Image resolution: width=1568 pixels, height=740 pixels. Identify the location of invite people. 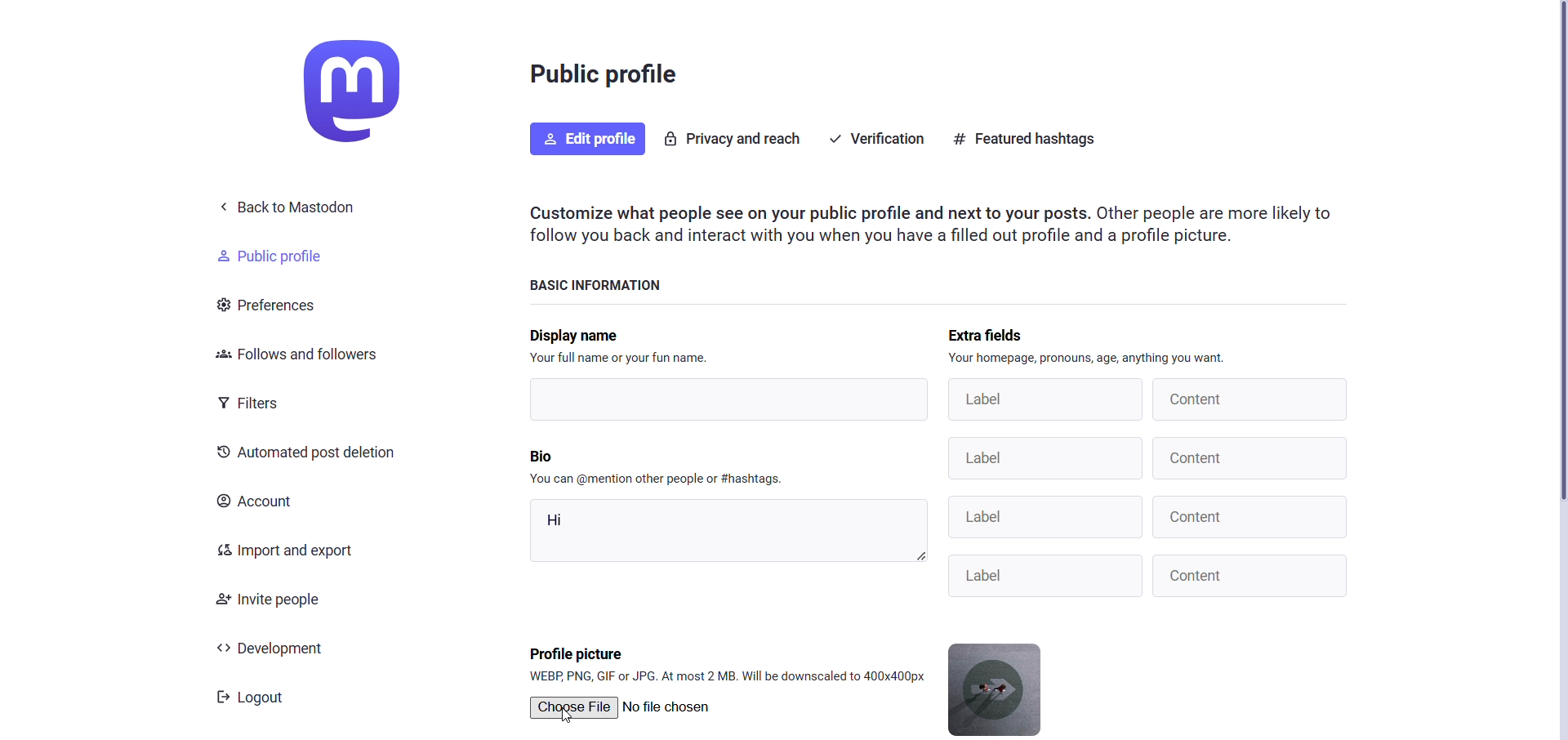
(265, 600).